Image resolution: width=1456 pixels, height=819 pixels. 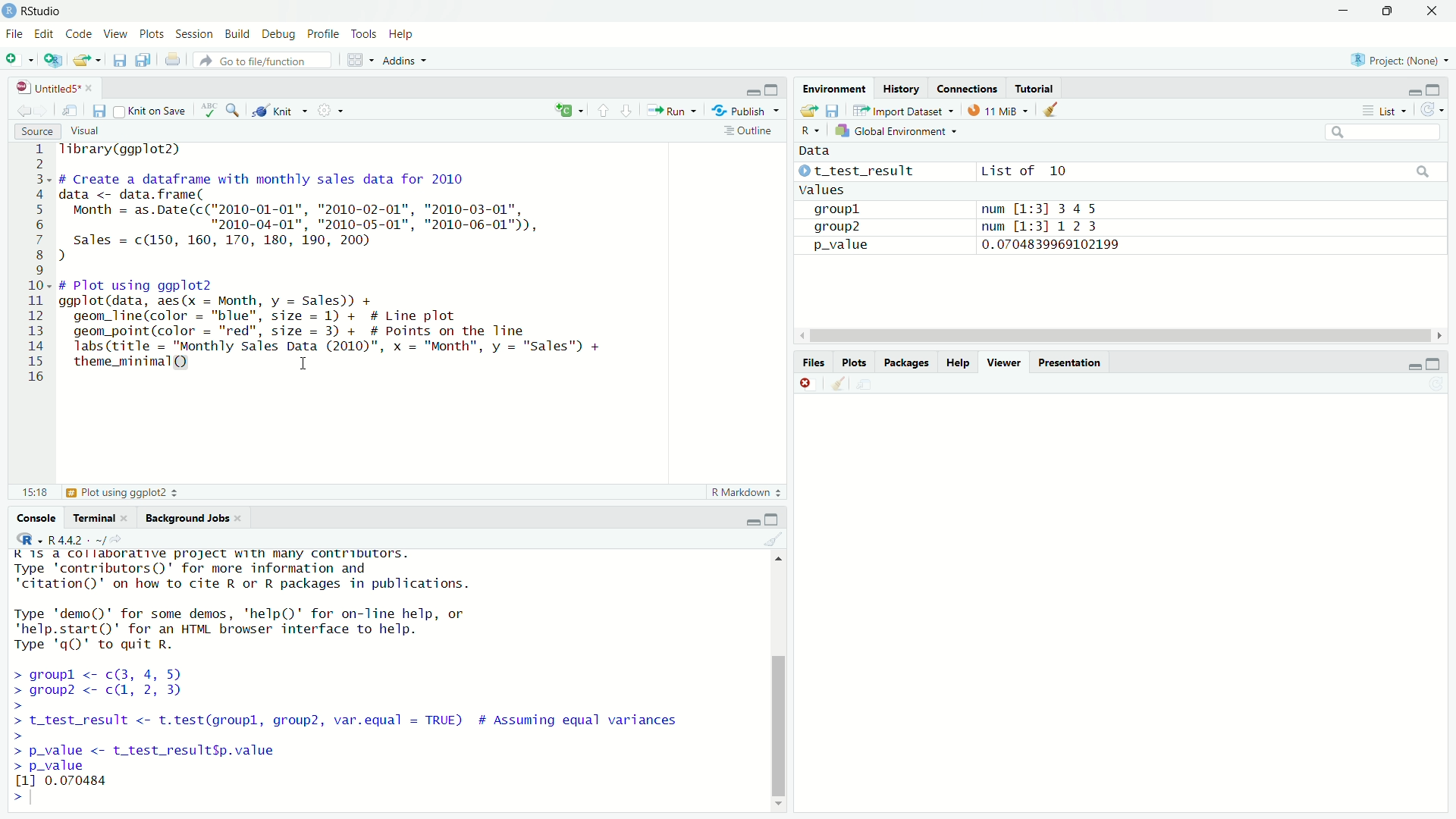 I want to click on groupl num [1:3] 345, so click(x=952, y=210).